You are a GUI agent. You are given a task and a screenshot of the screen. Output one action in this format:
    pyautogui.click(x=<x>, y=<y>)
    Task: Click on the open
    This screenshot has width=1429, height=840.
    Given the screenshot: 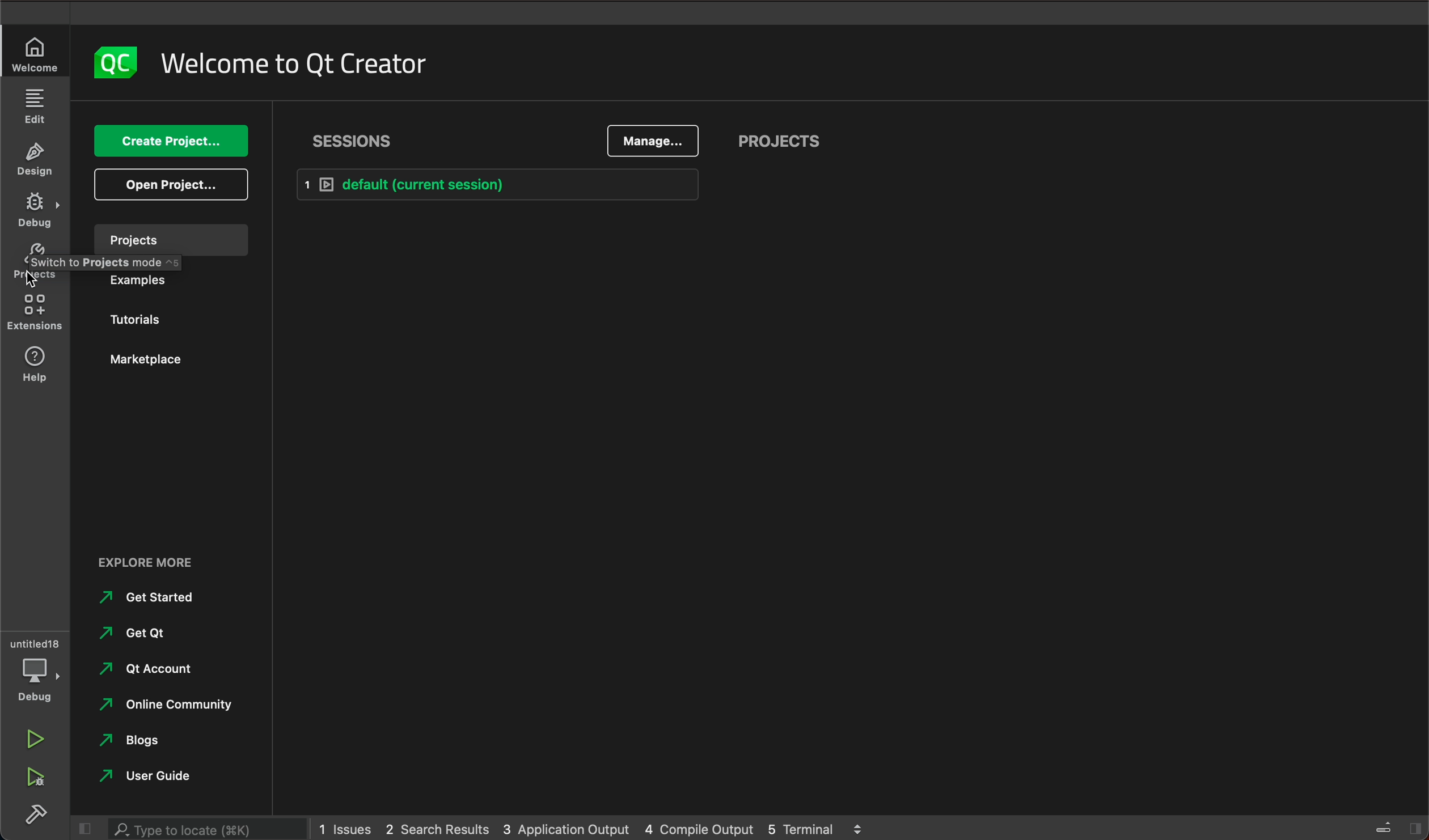 What is the action you would take?
    pyautogui.click(x=171, y=185)
    